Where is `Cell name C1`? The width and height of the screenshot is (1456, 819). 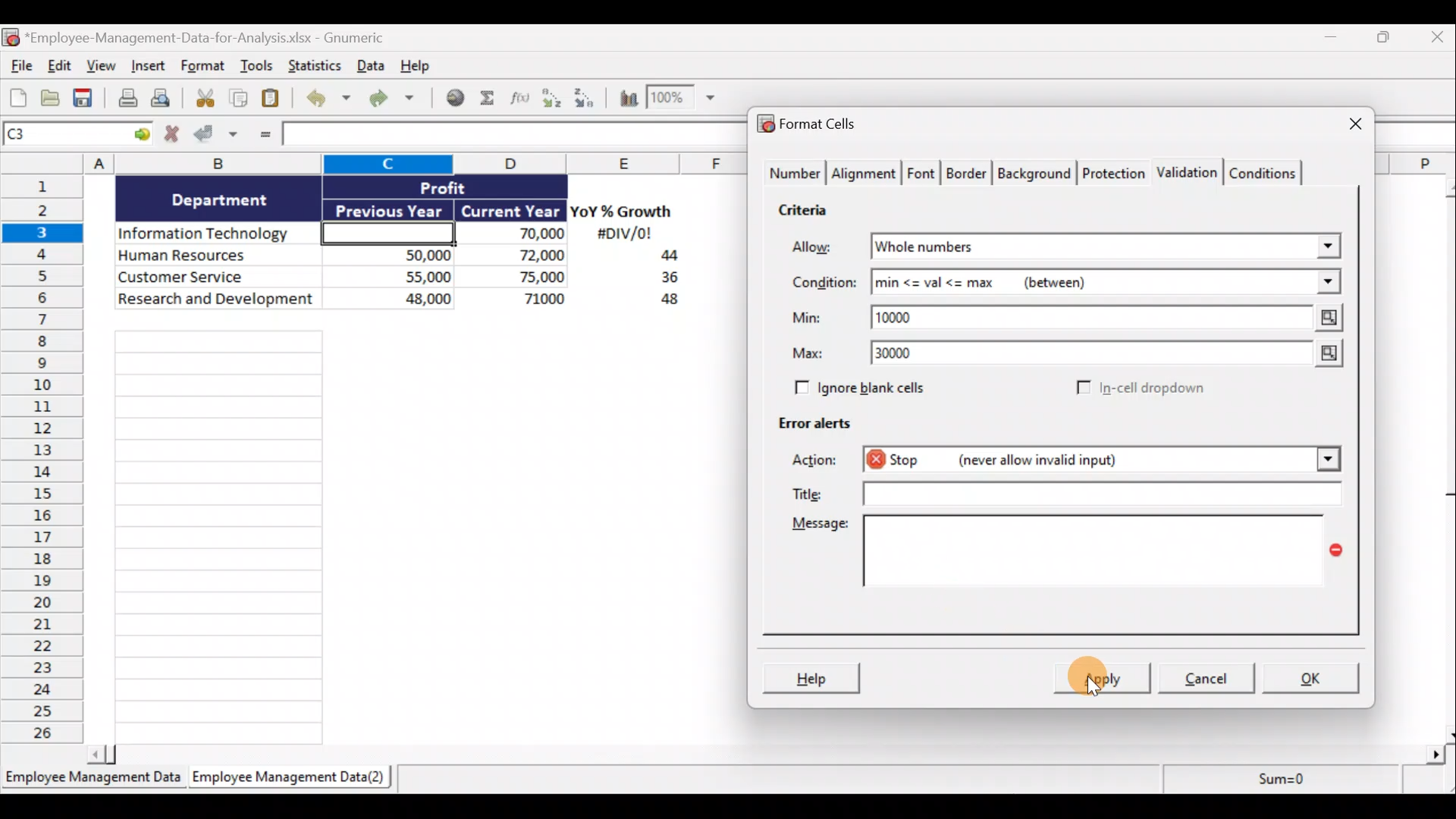 Cell name C1 is located at coordinates (64, 136).